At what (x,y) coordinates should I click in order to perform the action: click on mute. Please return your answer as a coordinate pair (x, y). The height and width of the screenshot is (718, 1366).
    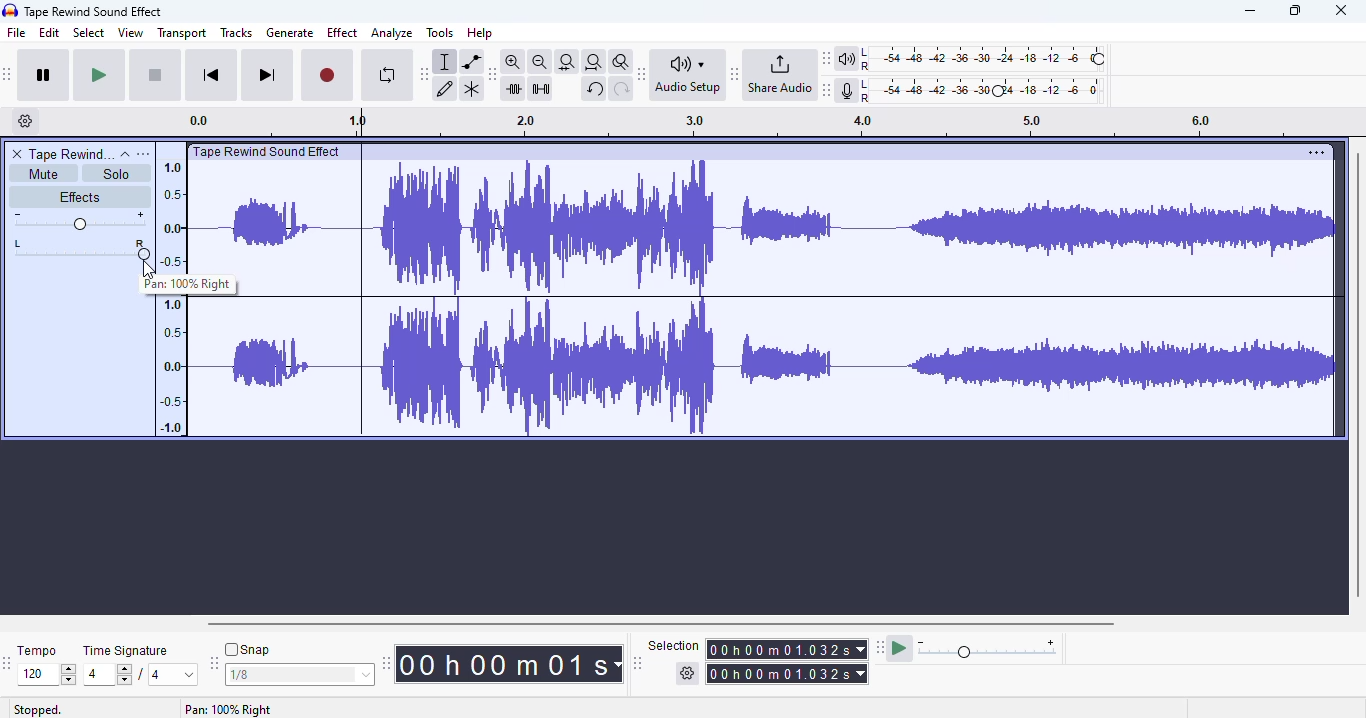
    Looking at the image, I should click on (44, 174).